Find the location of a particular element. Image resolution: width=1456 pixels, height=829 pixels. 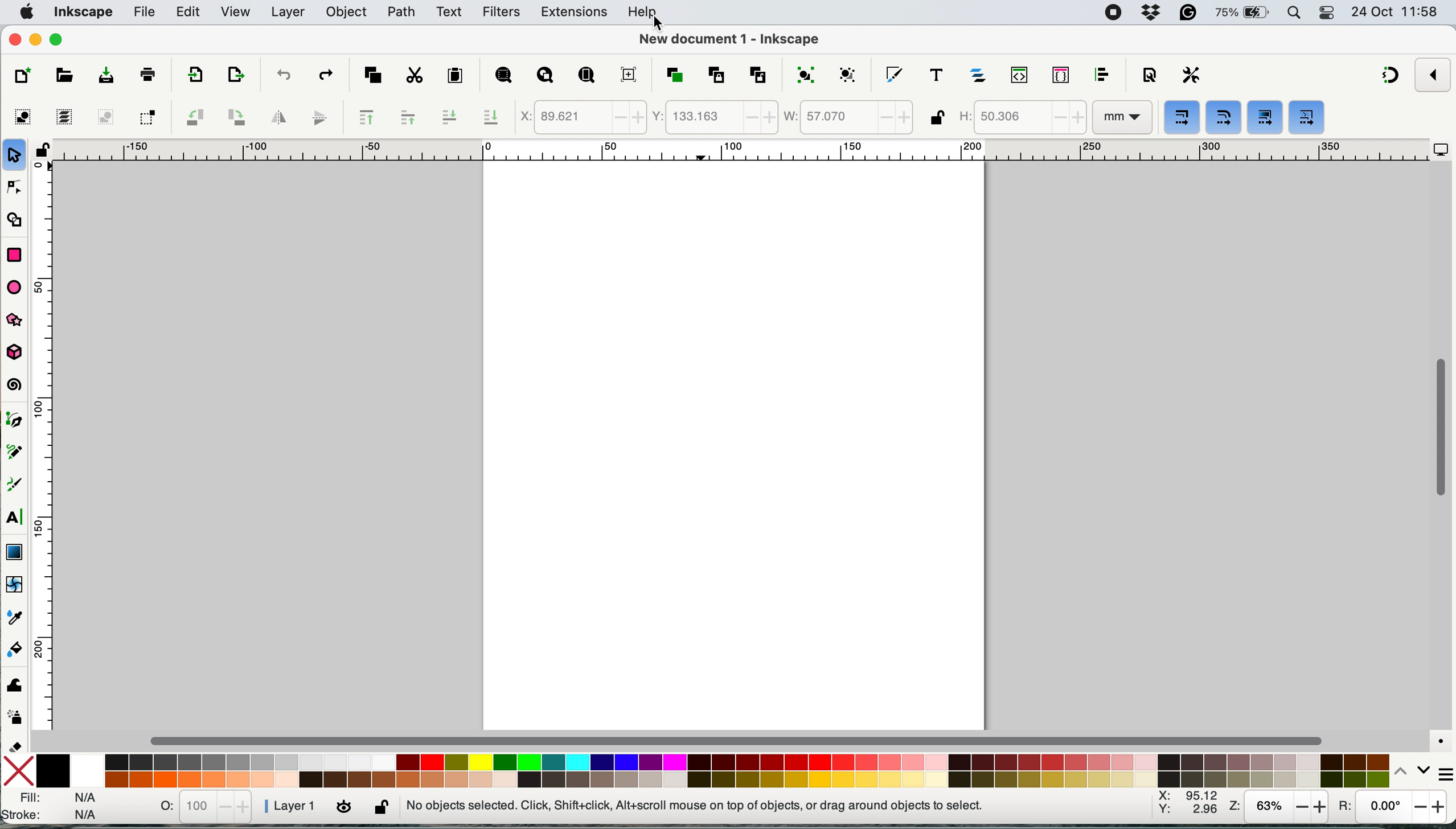

xy coordinate is located at coordinates (1189, 806).